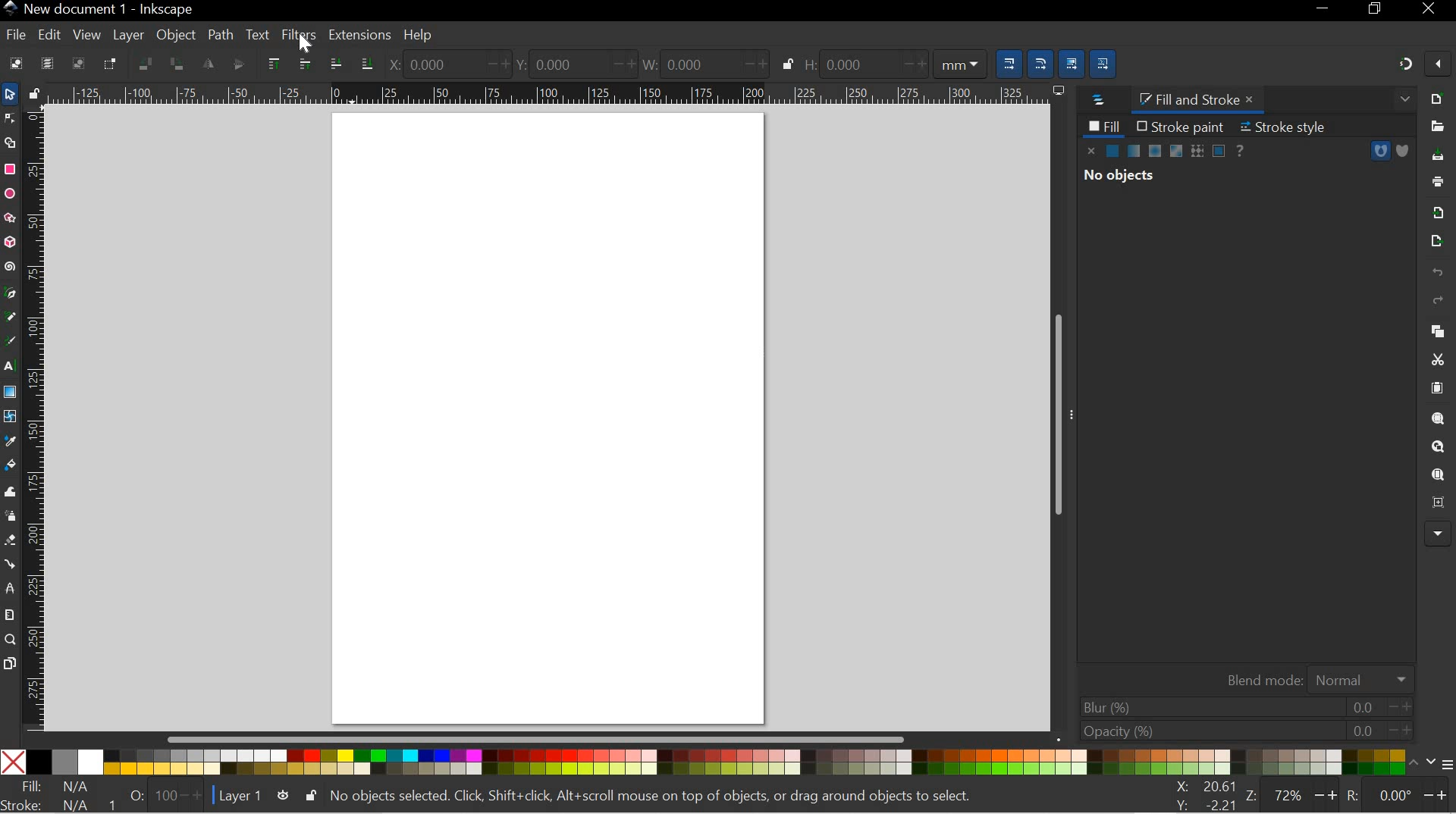 Image resolution: width=1456 pixels, height=814 pixels. I want to click on STROKE PAINT, so click(1180, 126).